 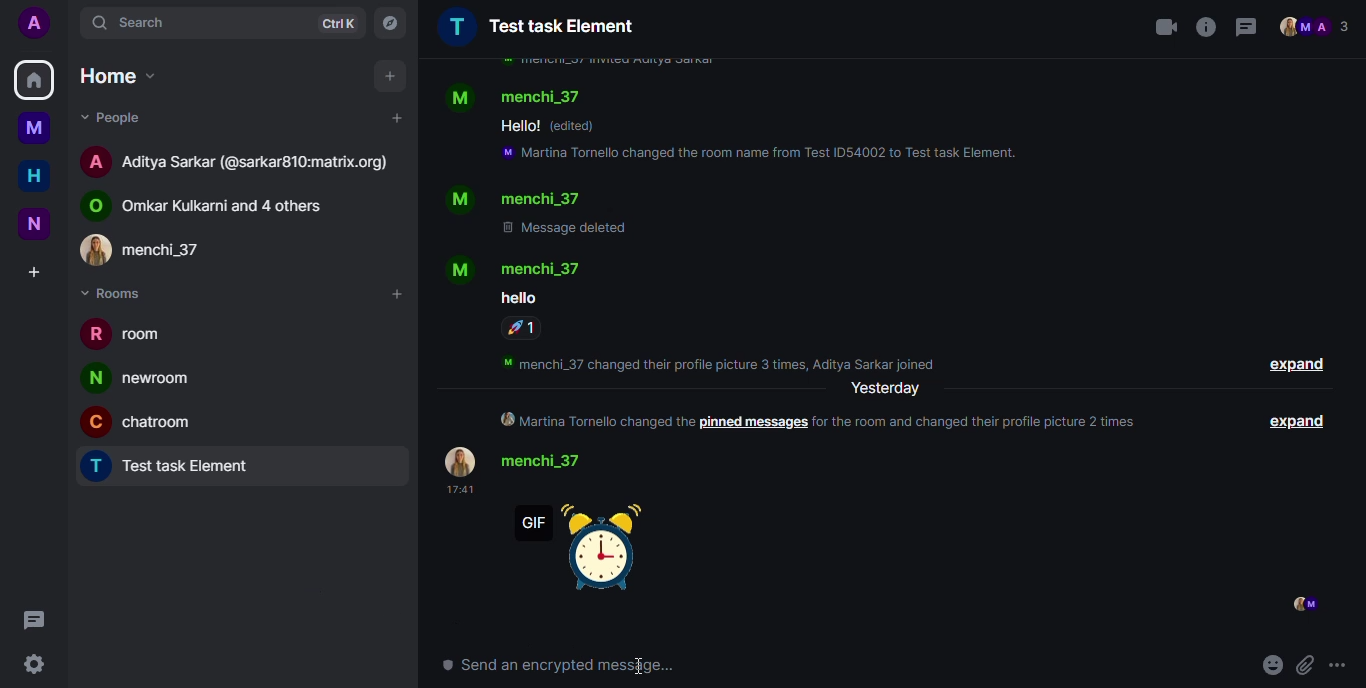 What do you see at coordinates (457, 490) in the screenshot?
I see `time` at bounding box center [457, 490].